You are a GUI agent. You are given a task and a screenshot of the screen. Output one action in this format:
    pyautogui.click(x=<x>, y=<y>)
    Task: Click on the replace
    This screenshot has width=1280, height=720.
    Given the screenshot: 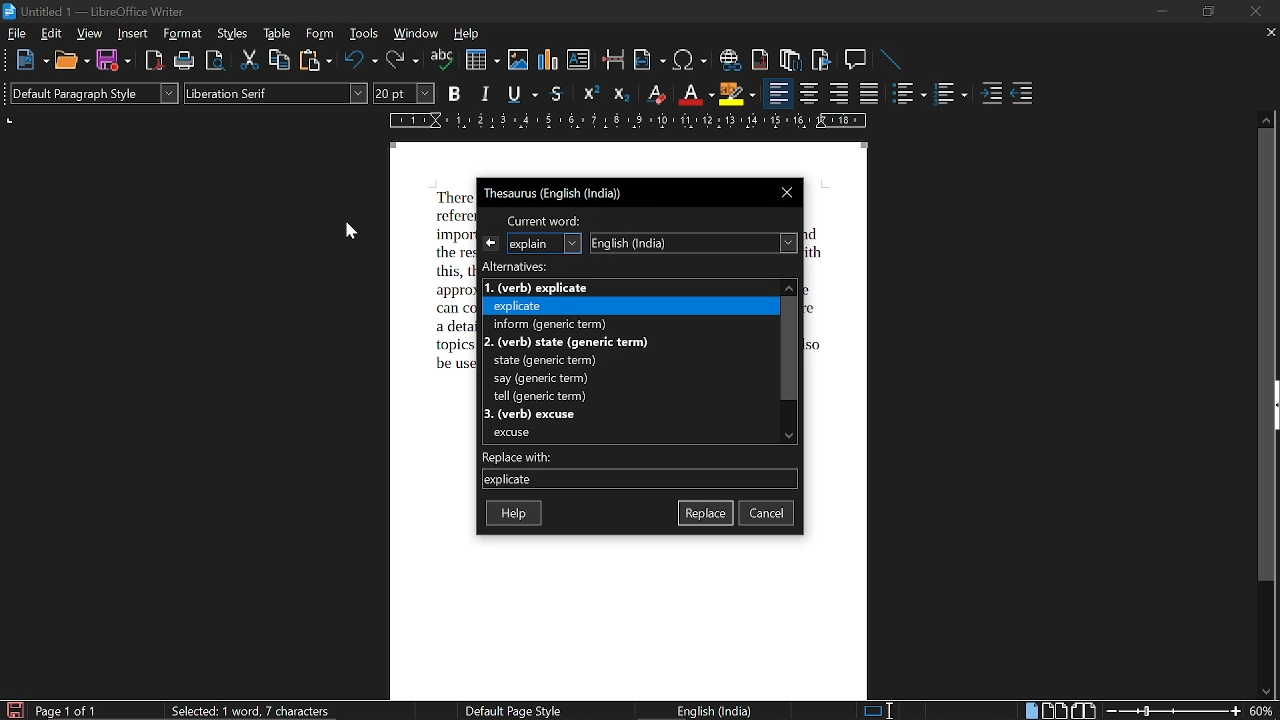 What is the action you would take?
    pyautogui.click(x=706, y=513)
    